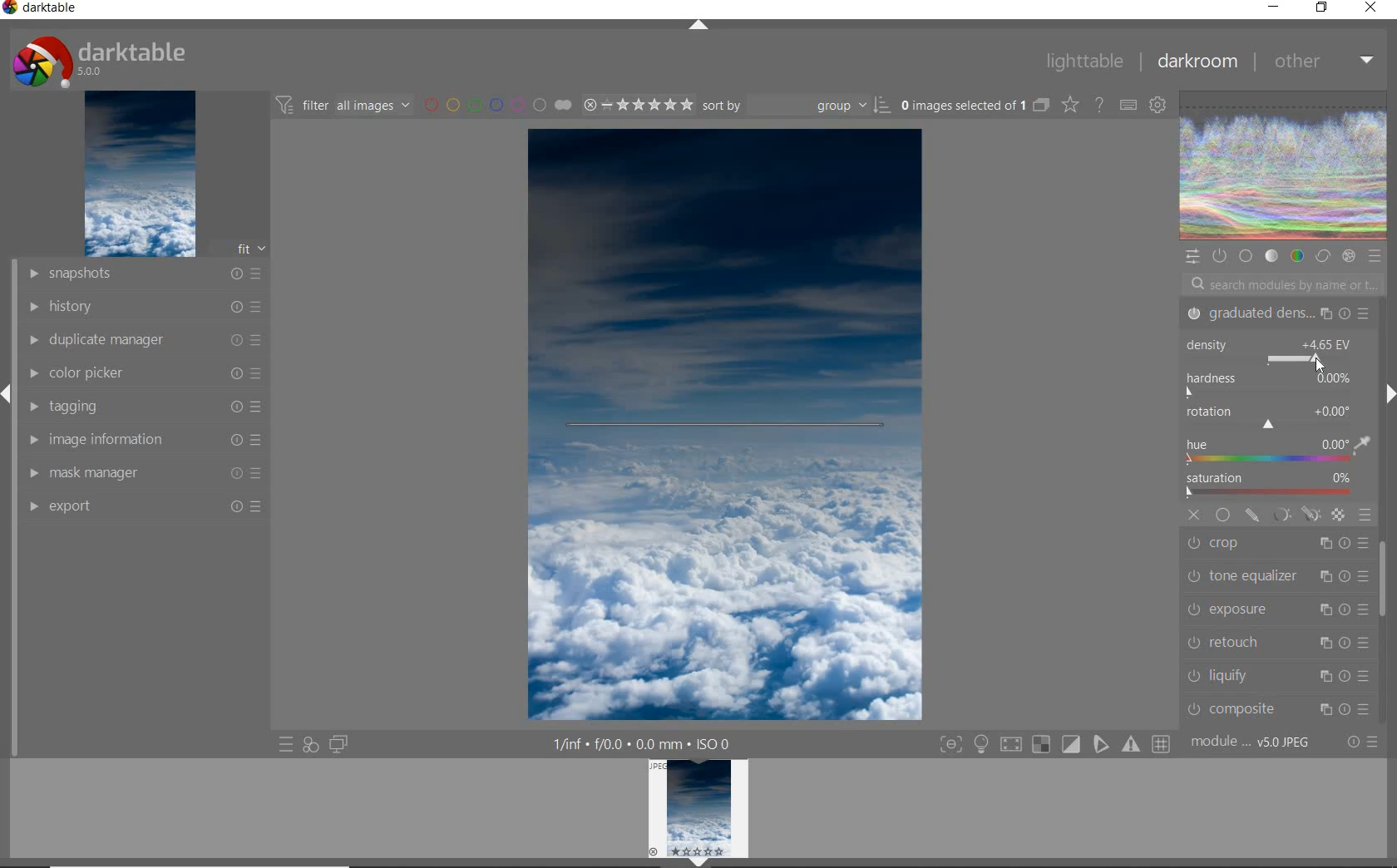 The width and height of the screenshot is (1397, 868). What do you see at coordinates (148, 406) in the screenshot?
I see `TAGGING` at bounding box center [148, 406].